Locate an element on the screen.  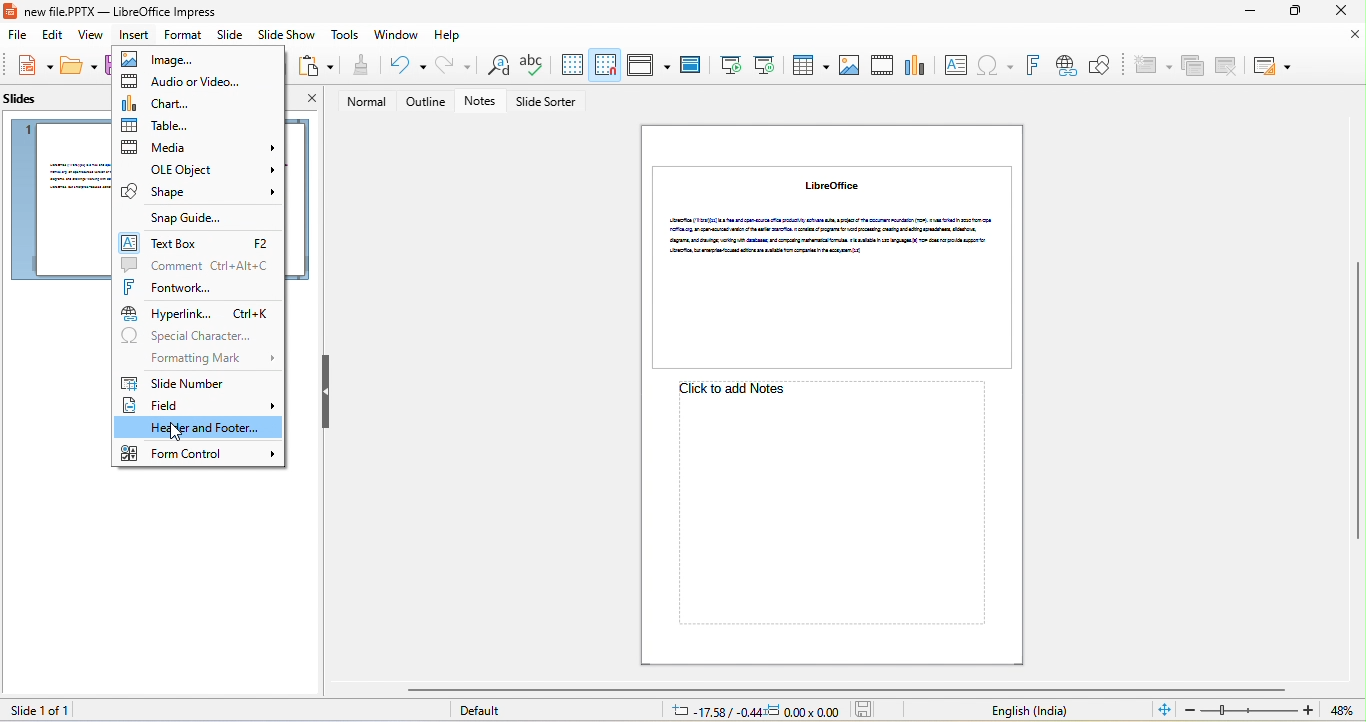
table is located at coordinates (808, 64).